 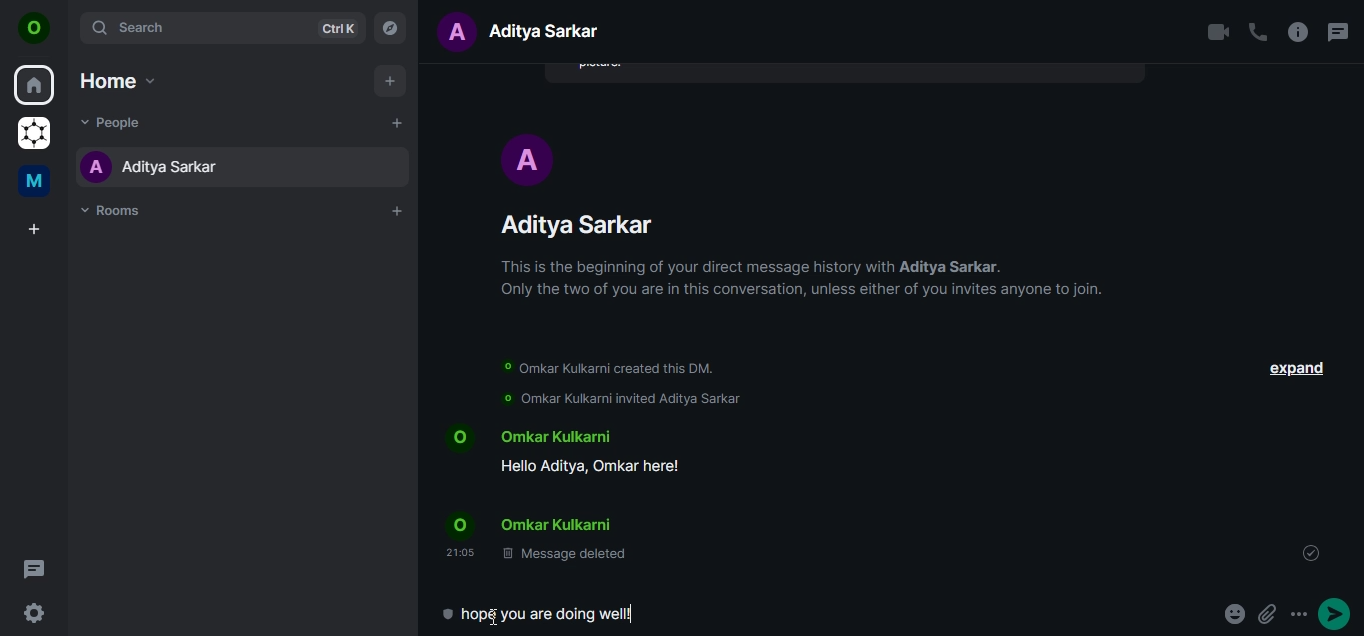 What do you see at coordinates (1292, 367) in the screenshot?
I see `expand` at bounding box center [1292, 367].